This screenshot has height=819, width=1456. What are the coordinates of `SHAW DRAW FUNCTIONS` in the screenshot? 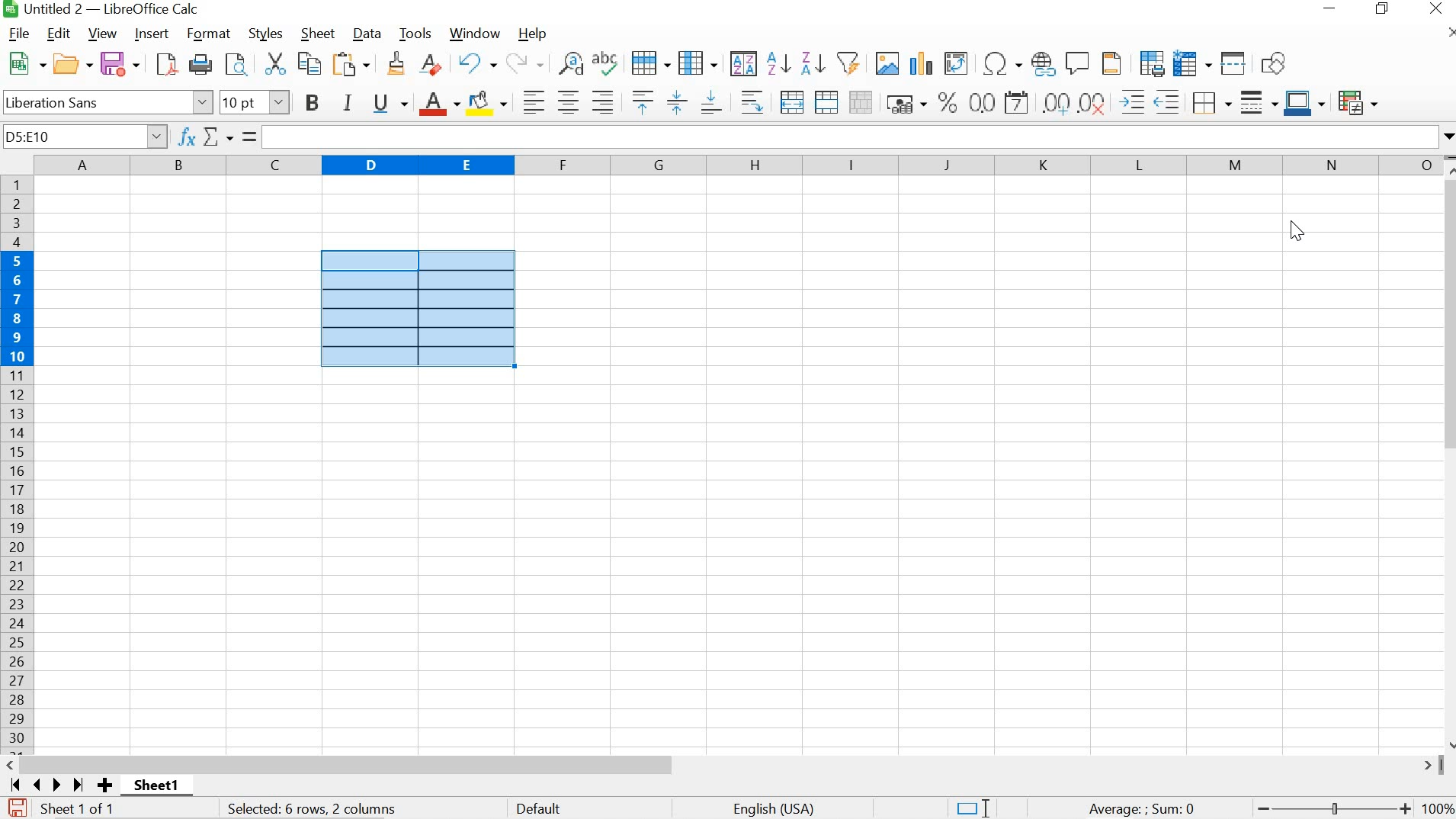 It's located at (1277, 62).